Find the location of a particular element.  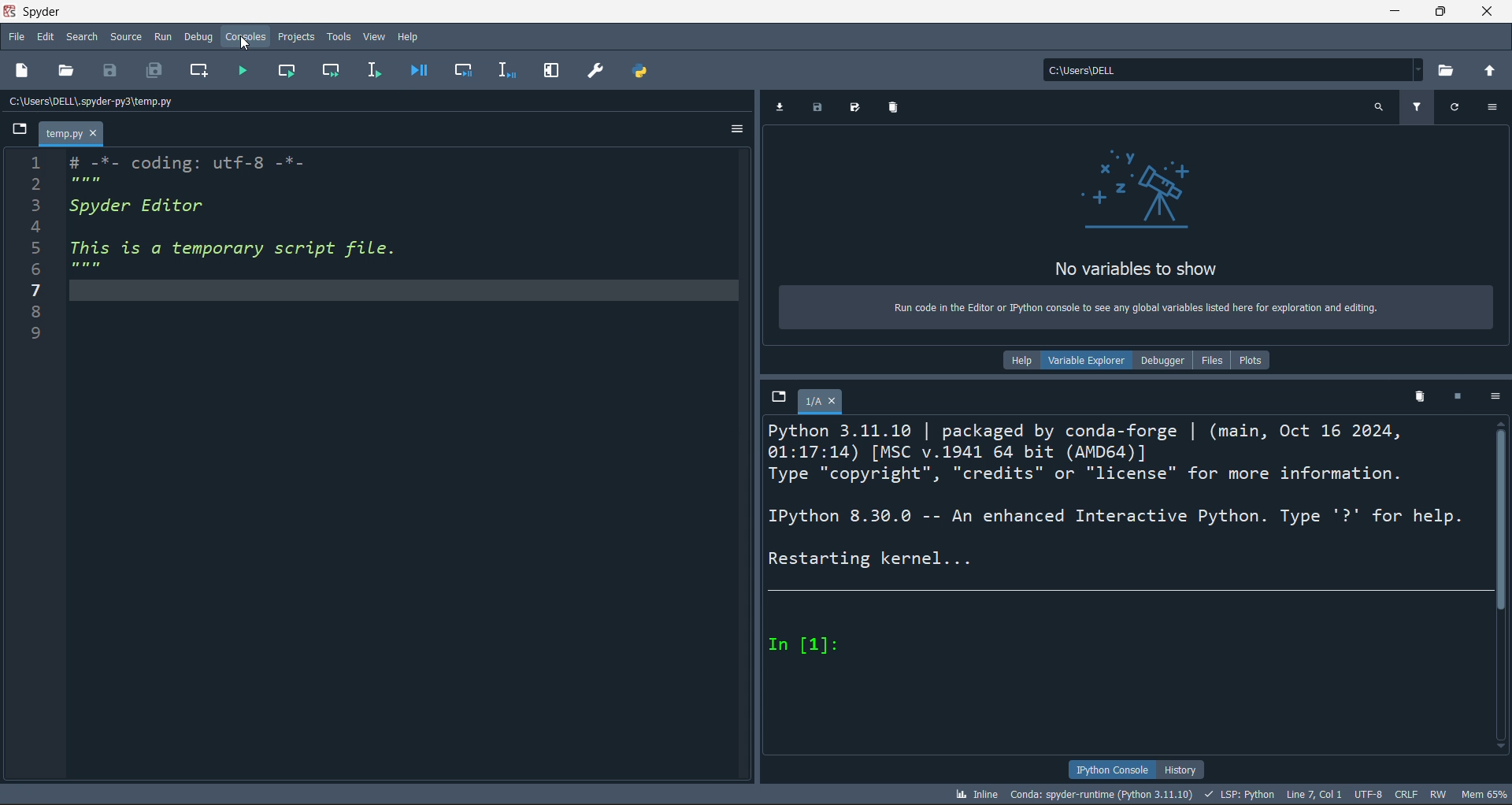

LSP: python is located at coordinates (1239, 794).